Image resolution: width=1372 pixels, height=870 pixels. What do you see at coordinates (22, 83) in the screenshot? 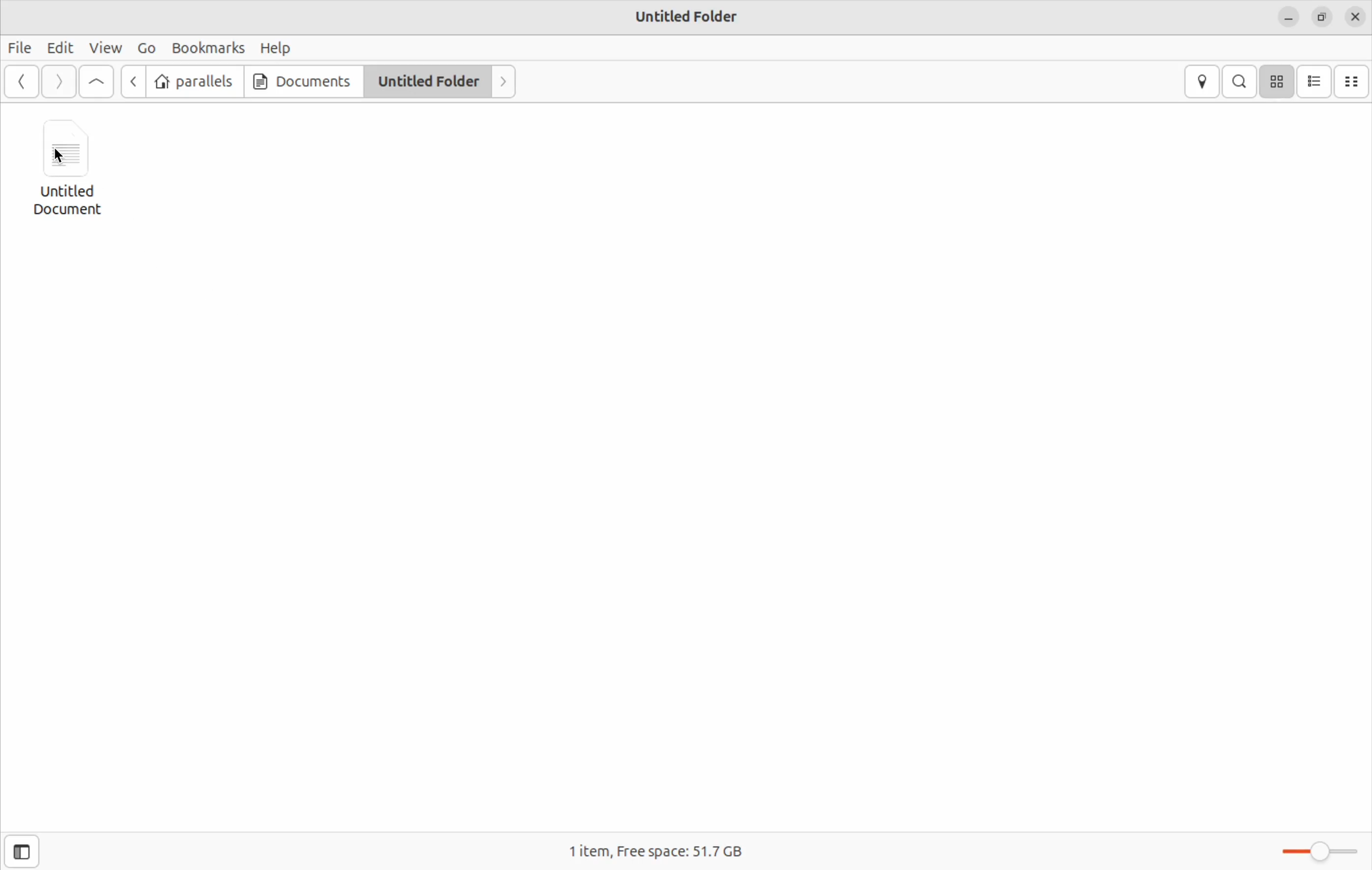
I see `backward` at bounding box center [22, 83].